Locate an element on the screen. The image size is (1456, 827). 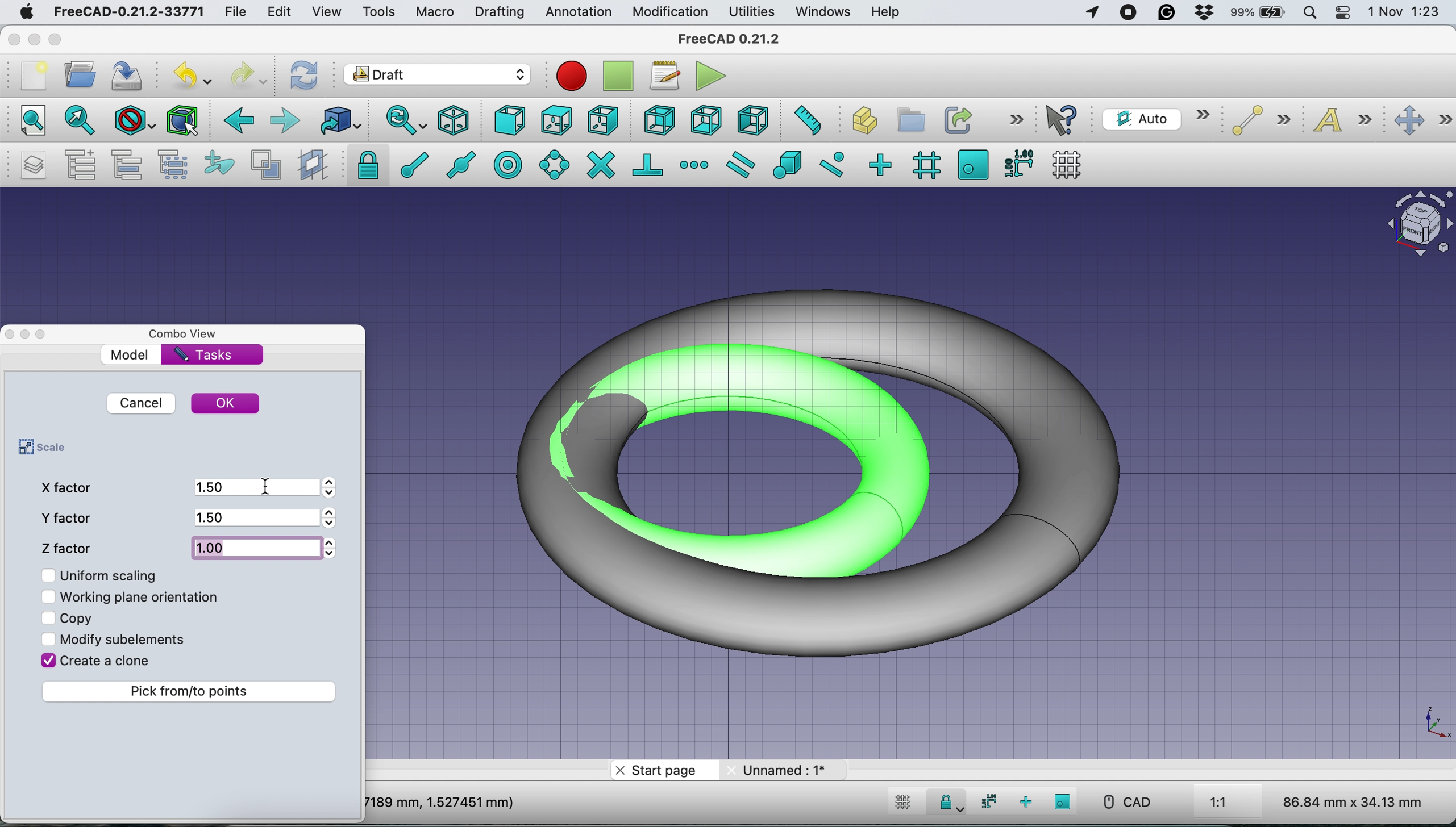
cancel is located at coordinates (140, 403).